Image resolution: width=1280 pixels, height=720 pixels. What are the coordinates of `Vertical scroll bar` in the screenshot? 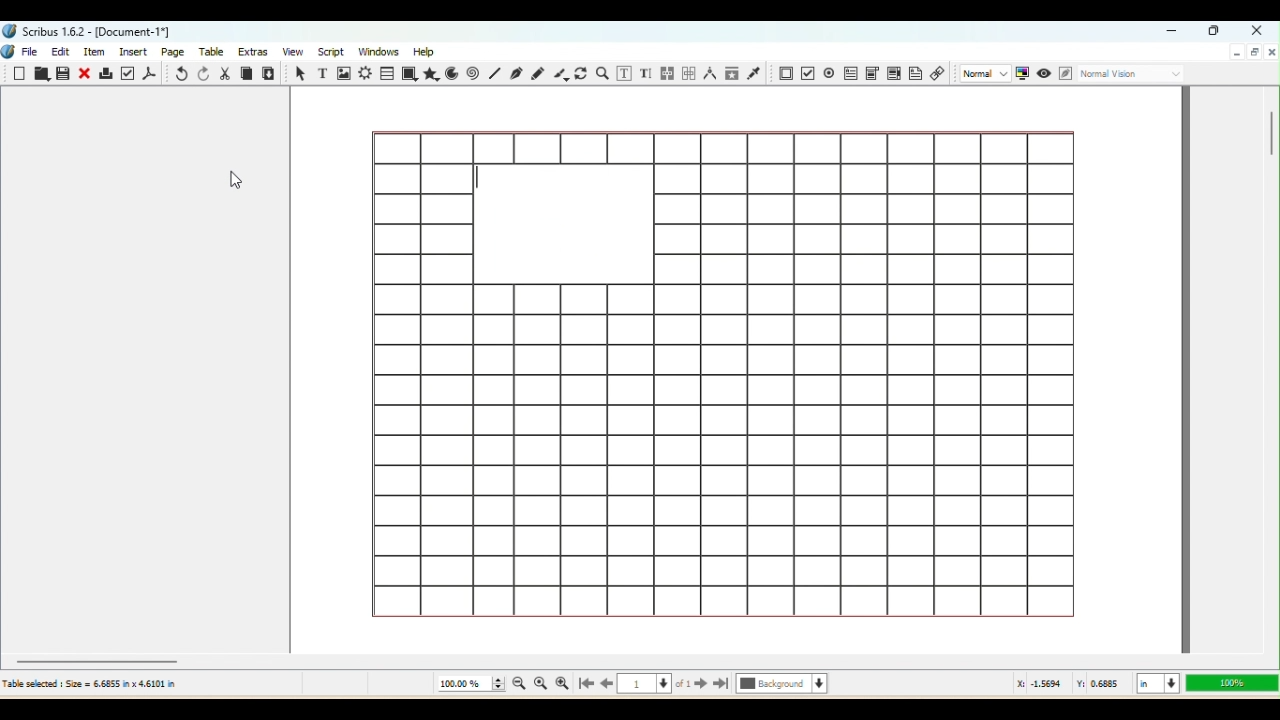 It's located at (1271, 368).